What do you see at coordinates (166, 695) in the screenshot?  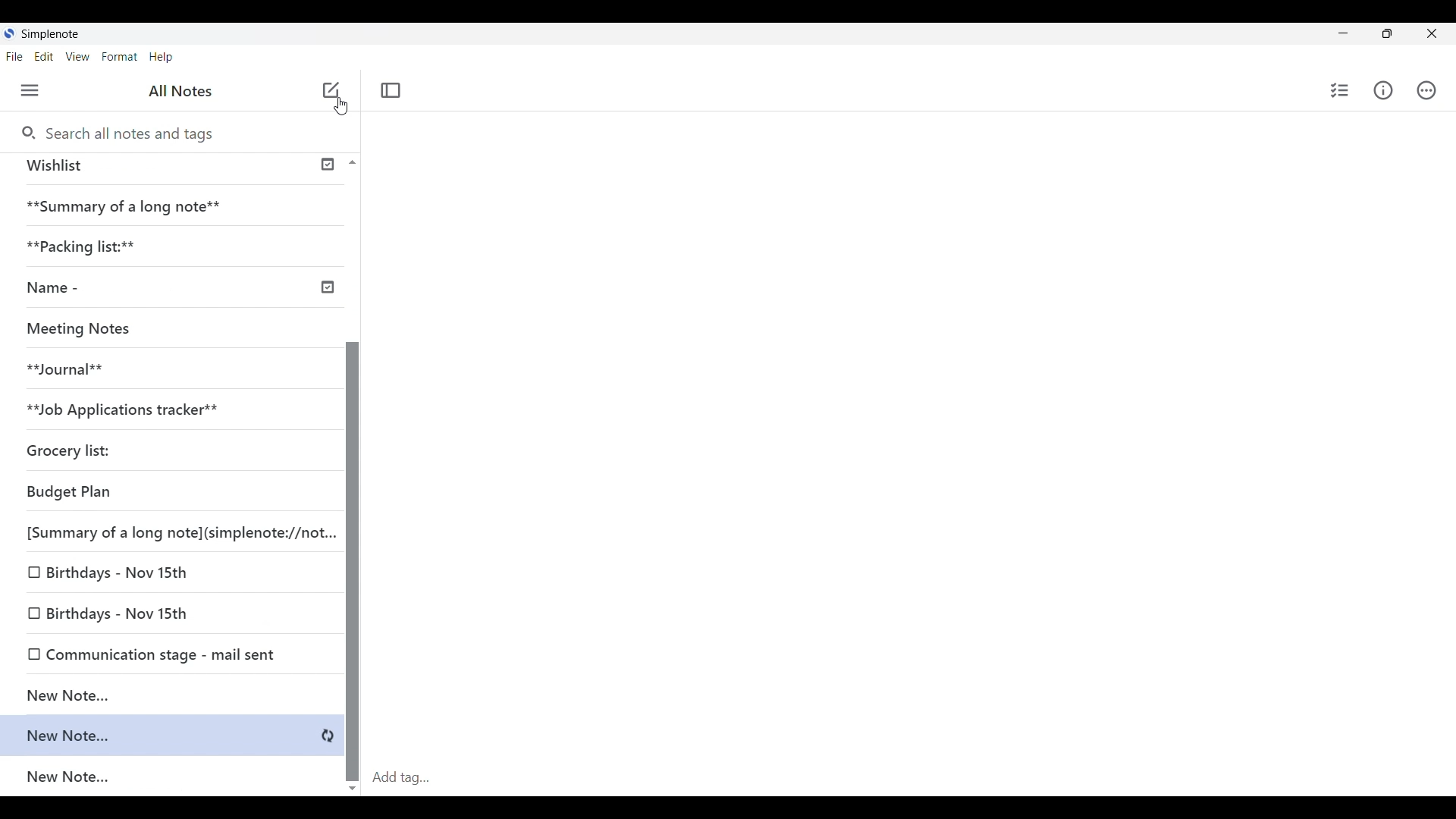 I see `New note` at bounding box center [166, 695].